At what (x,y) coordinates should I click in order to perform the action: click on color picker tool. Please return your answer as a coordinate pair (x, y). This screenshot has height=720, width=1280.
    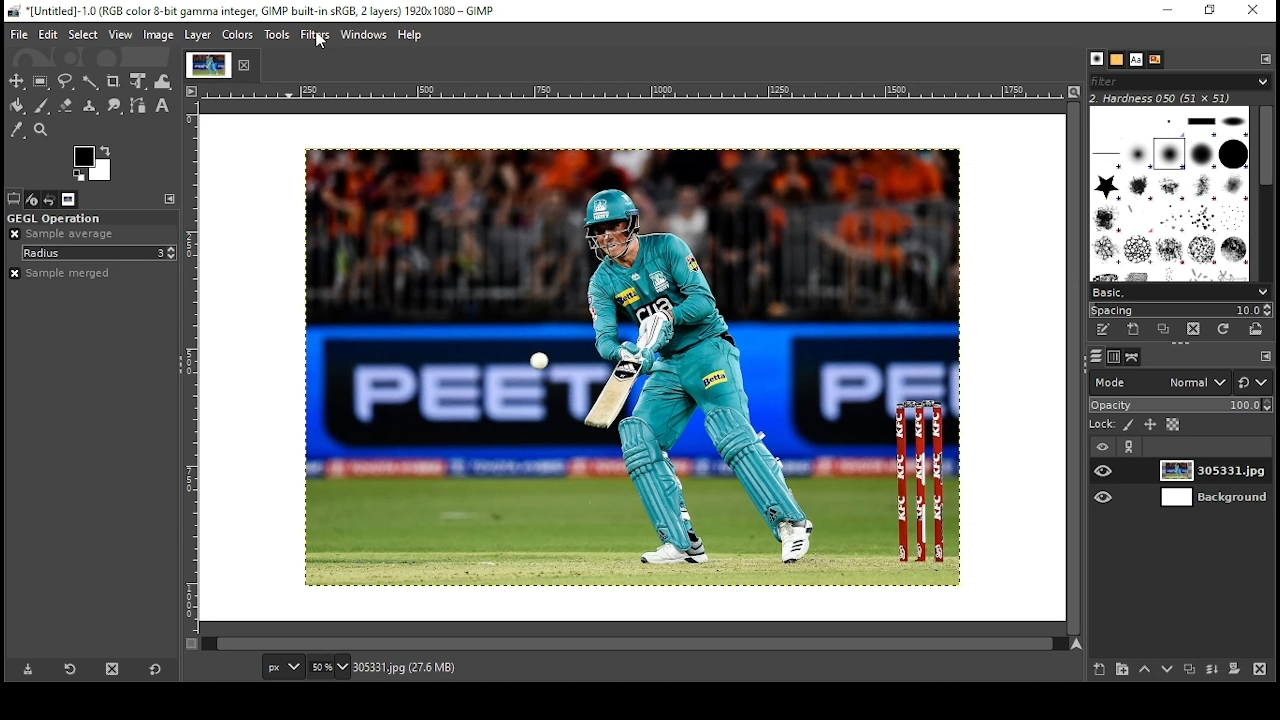
    Looking at the image, I should click on (17, 130).